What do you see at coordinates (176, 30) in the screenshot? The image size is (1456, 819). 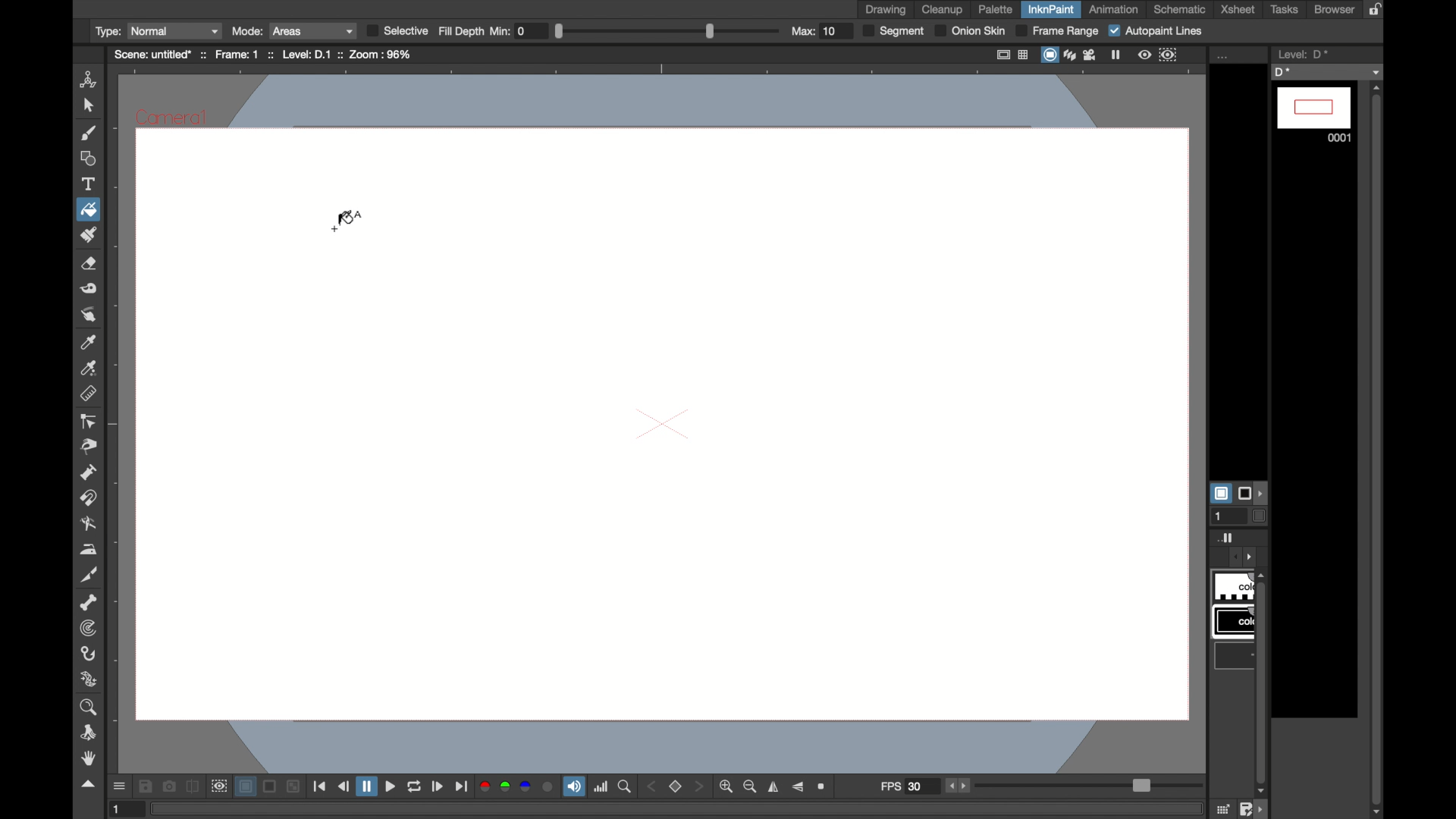 I see `Normal` at bounding box center [176, 30].